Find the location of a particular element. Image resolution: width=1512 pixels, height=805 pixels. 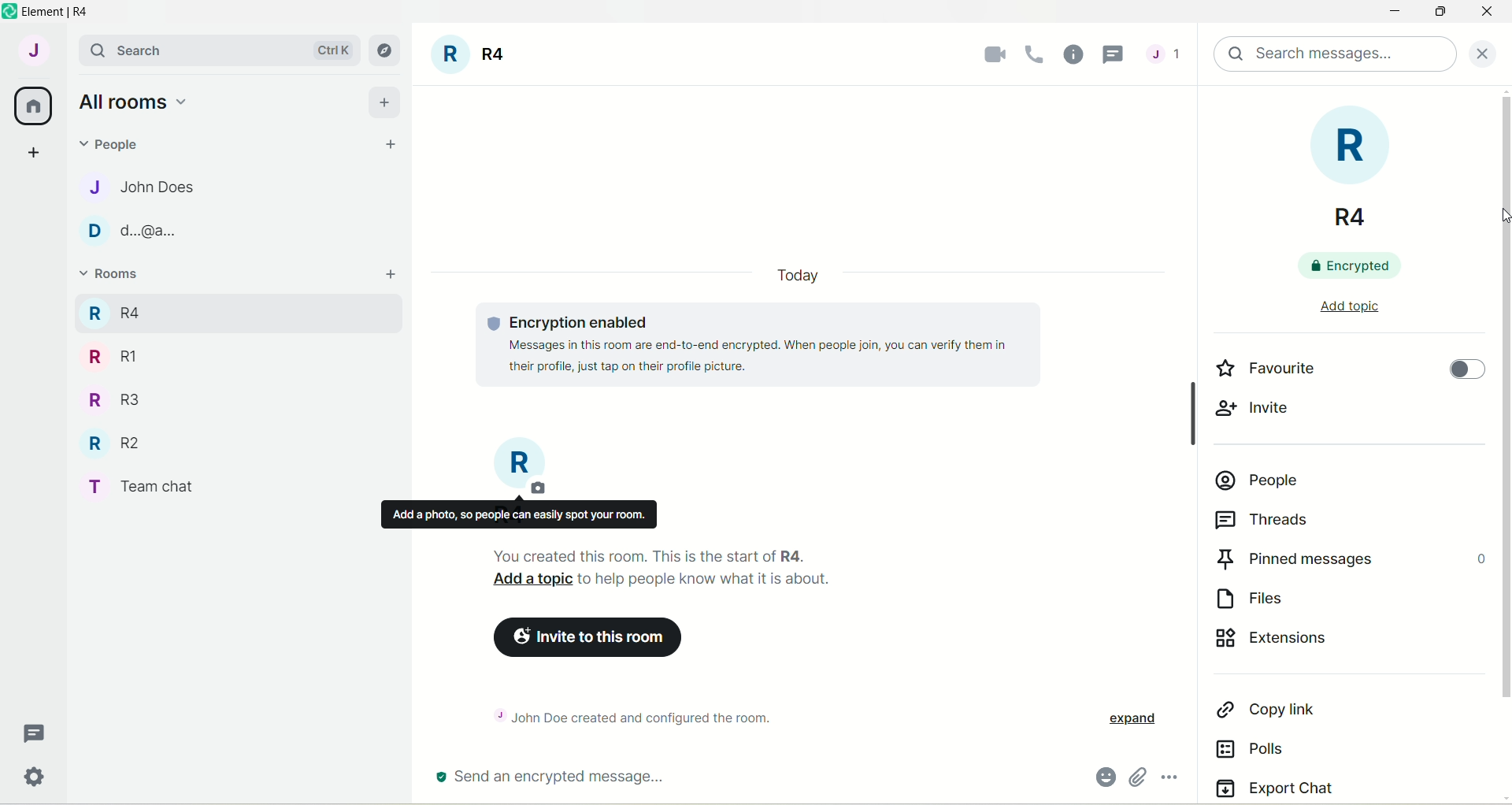

cursor is located at coordinates (1116, 55).